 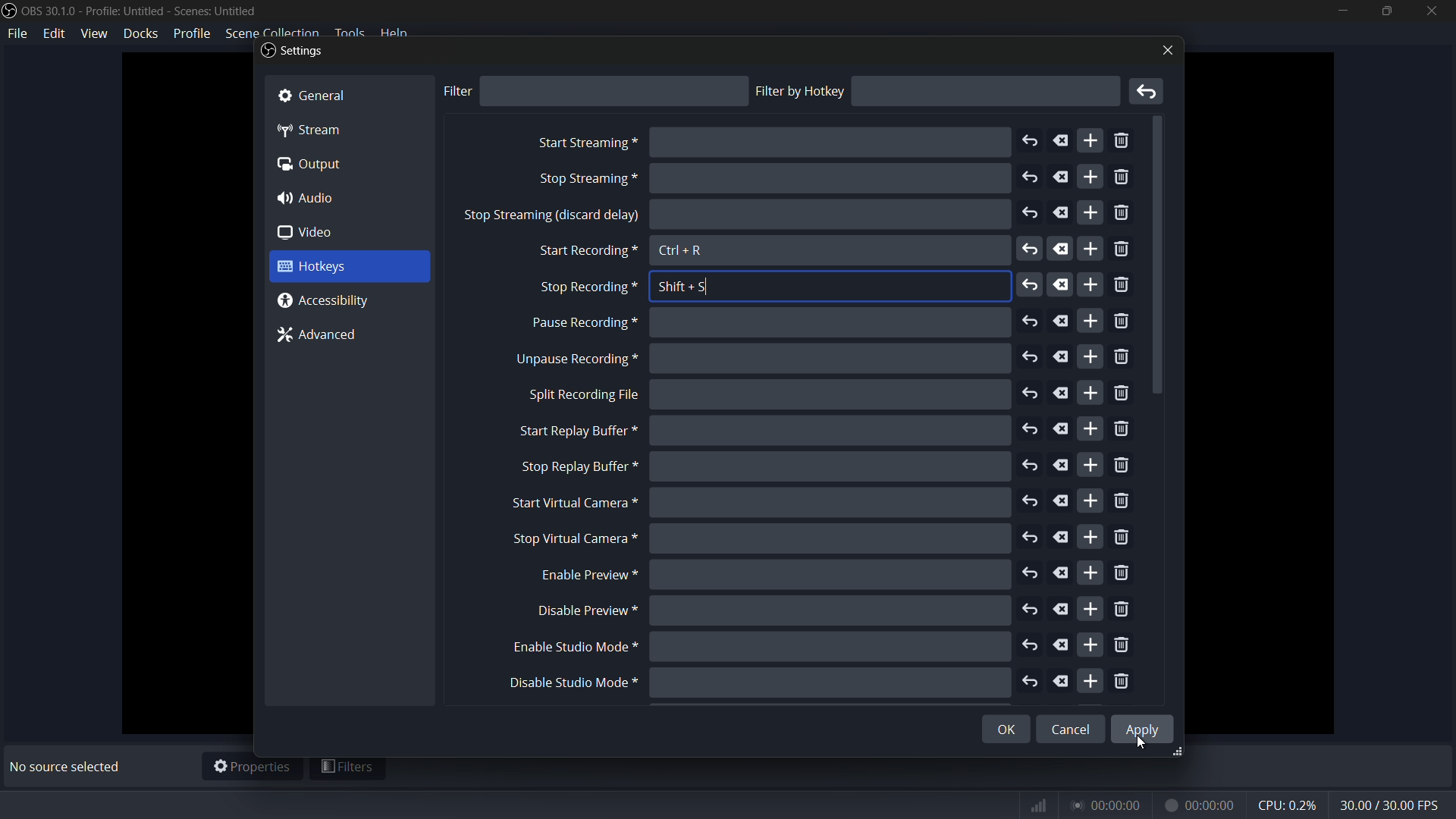 What do you see at coordinates (1121, 323) in the screenshot?
I see `remove` at bounding box center [1121, 323].